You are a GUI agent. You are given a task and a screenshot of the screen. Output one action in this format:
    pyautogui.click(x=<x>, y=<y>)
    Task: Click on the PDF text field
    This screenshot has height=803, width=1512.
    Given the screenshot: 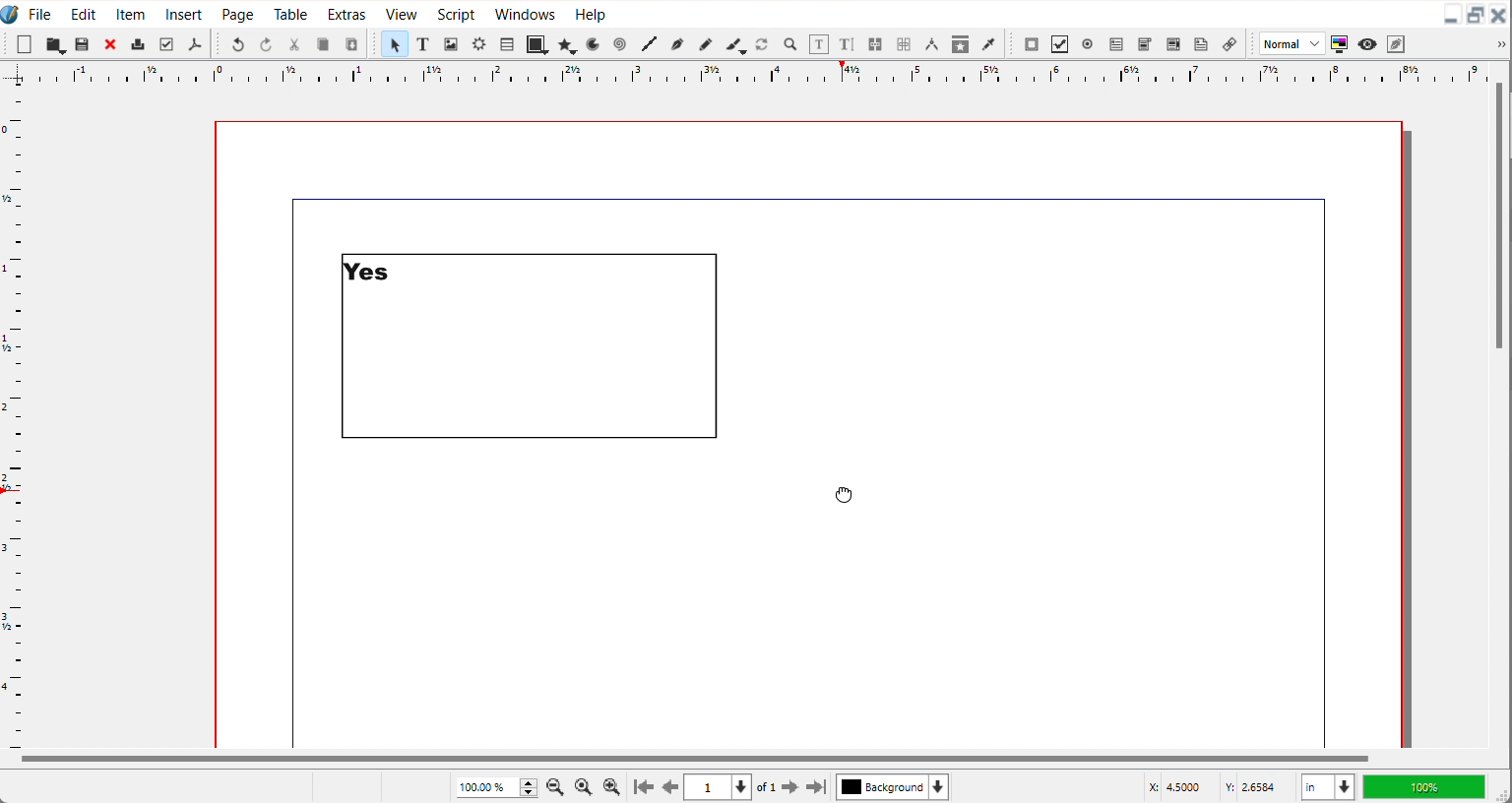 What is the action you would take?
    pyautogui.click(x=1115, y=45)
    